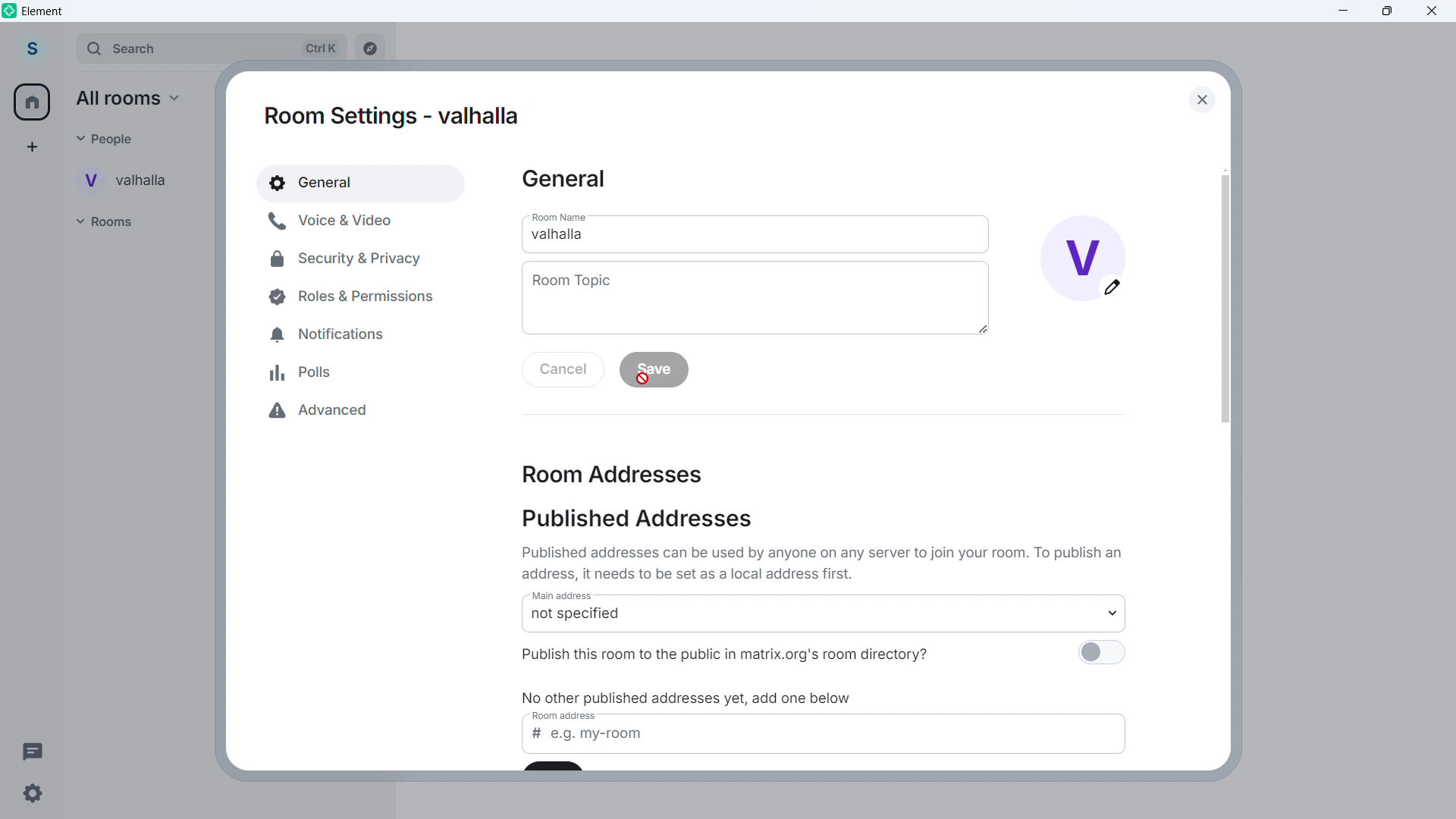 The height and width of the screenshot is (819, 1456). Describe the element at coordinates (1100, 656) in the screenshot. I see `publish this room to the public in matrix org's room directory switch` at that location.